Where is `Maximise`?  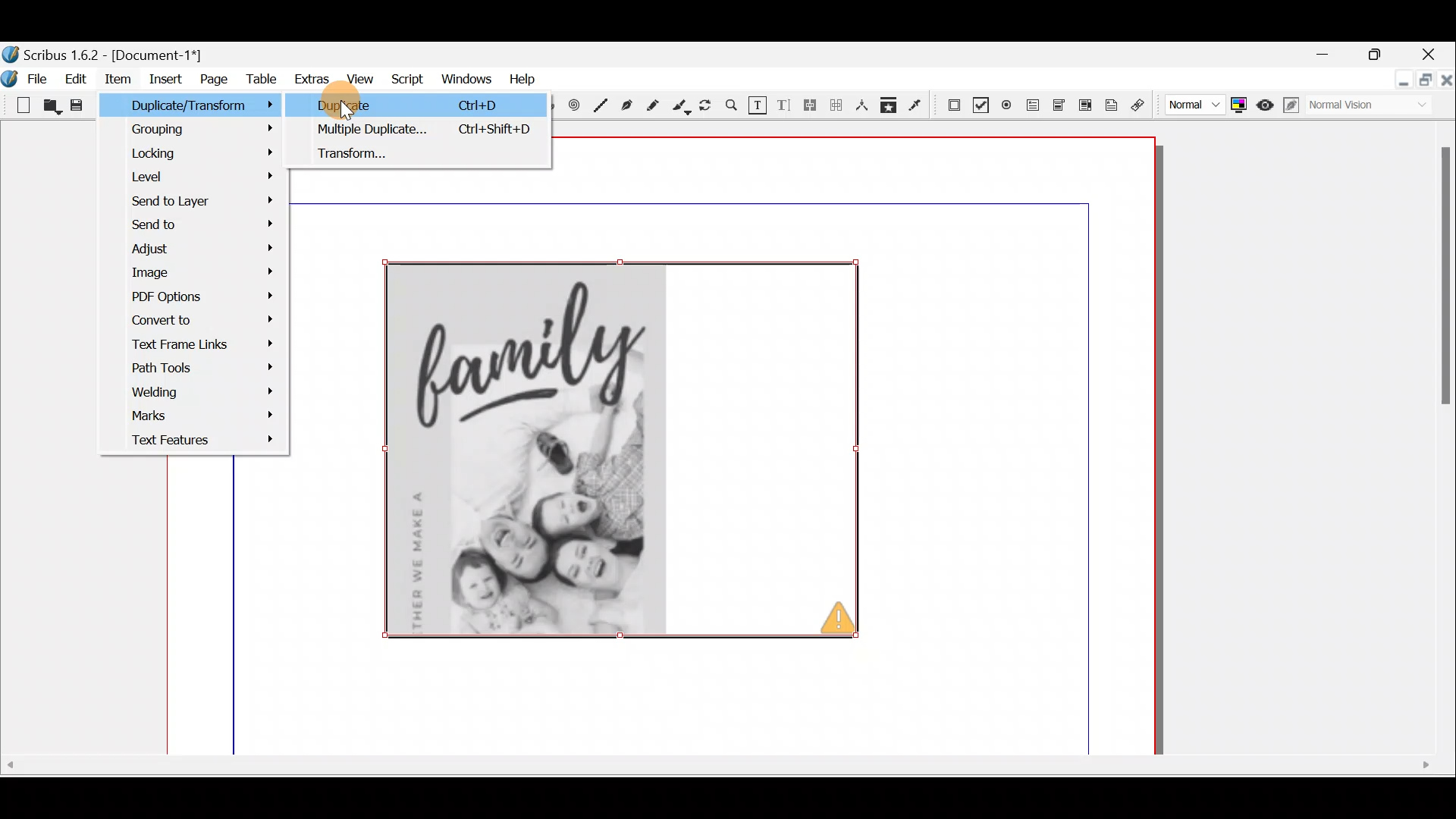
Maximise is located at coordinates (1377, 54).